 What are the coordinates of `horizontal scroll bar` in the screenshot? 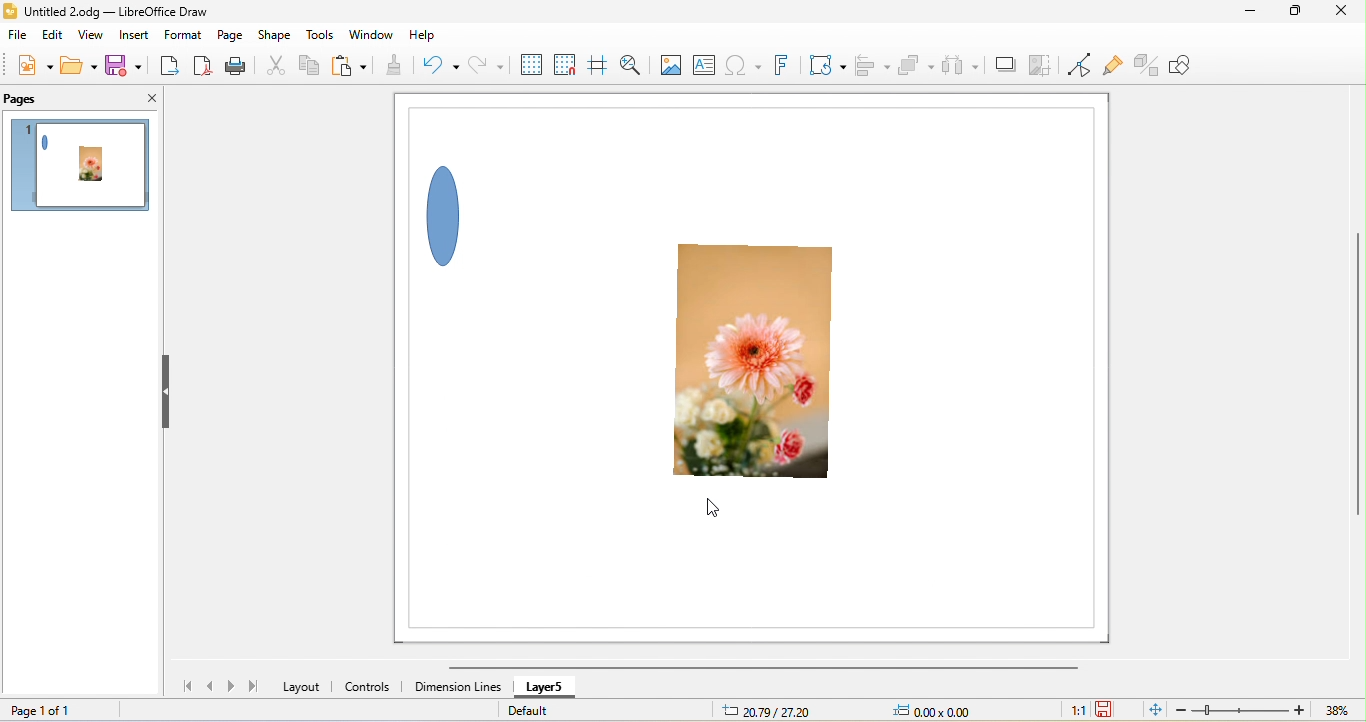 It's located at (763, 667).